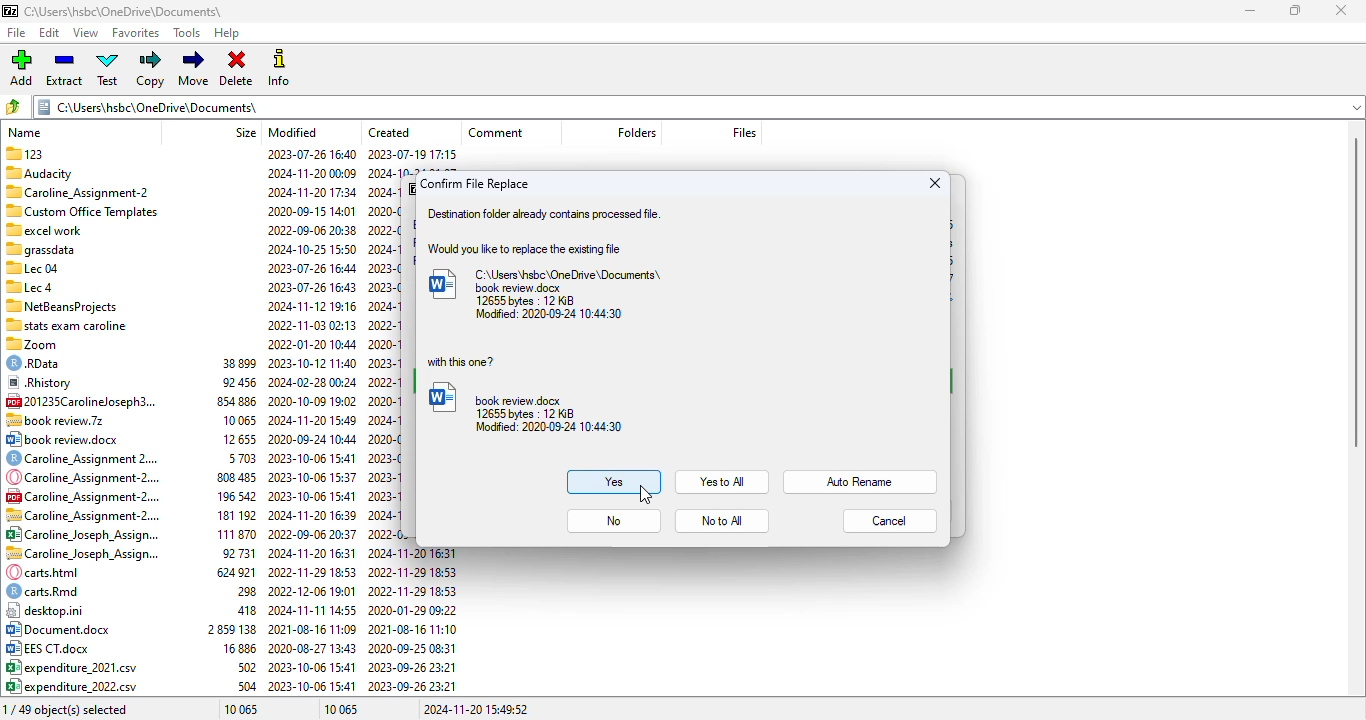 This screenshot has height=720, width=1366. I want to click on modified date & time, so click(312, 421).